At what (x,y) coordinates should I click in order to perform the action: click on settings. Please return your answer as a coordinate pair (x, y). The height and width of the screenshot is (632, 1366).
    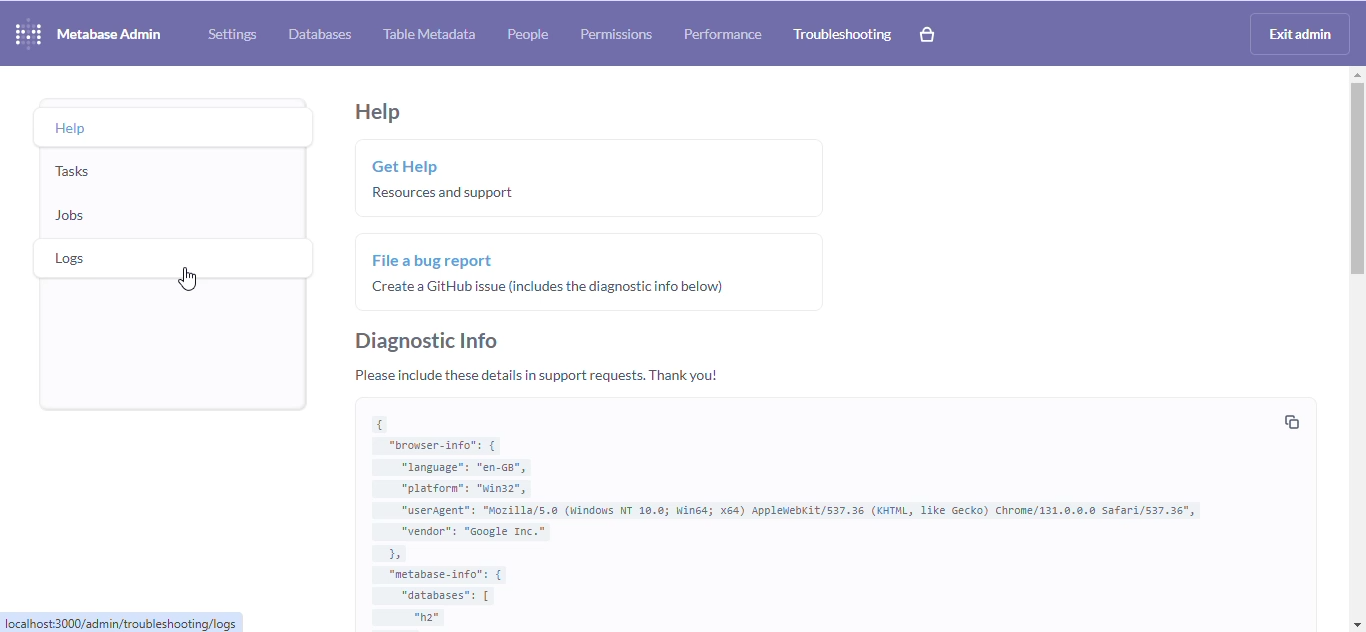
    Looking at the image, I should click on (232, 35).